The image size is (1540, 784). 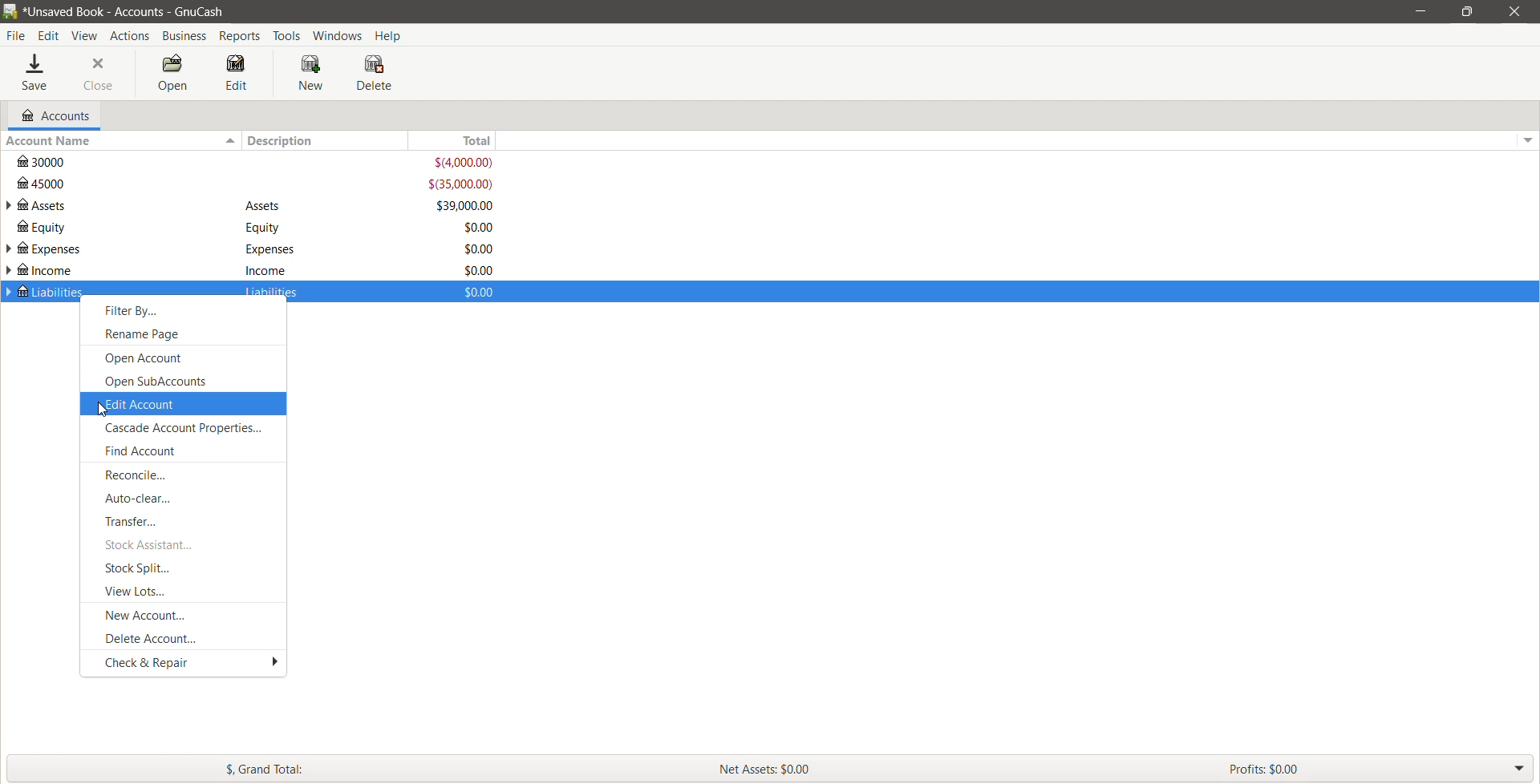 I want to click on Edit, so click(x=51, y=36).